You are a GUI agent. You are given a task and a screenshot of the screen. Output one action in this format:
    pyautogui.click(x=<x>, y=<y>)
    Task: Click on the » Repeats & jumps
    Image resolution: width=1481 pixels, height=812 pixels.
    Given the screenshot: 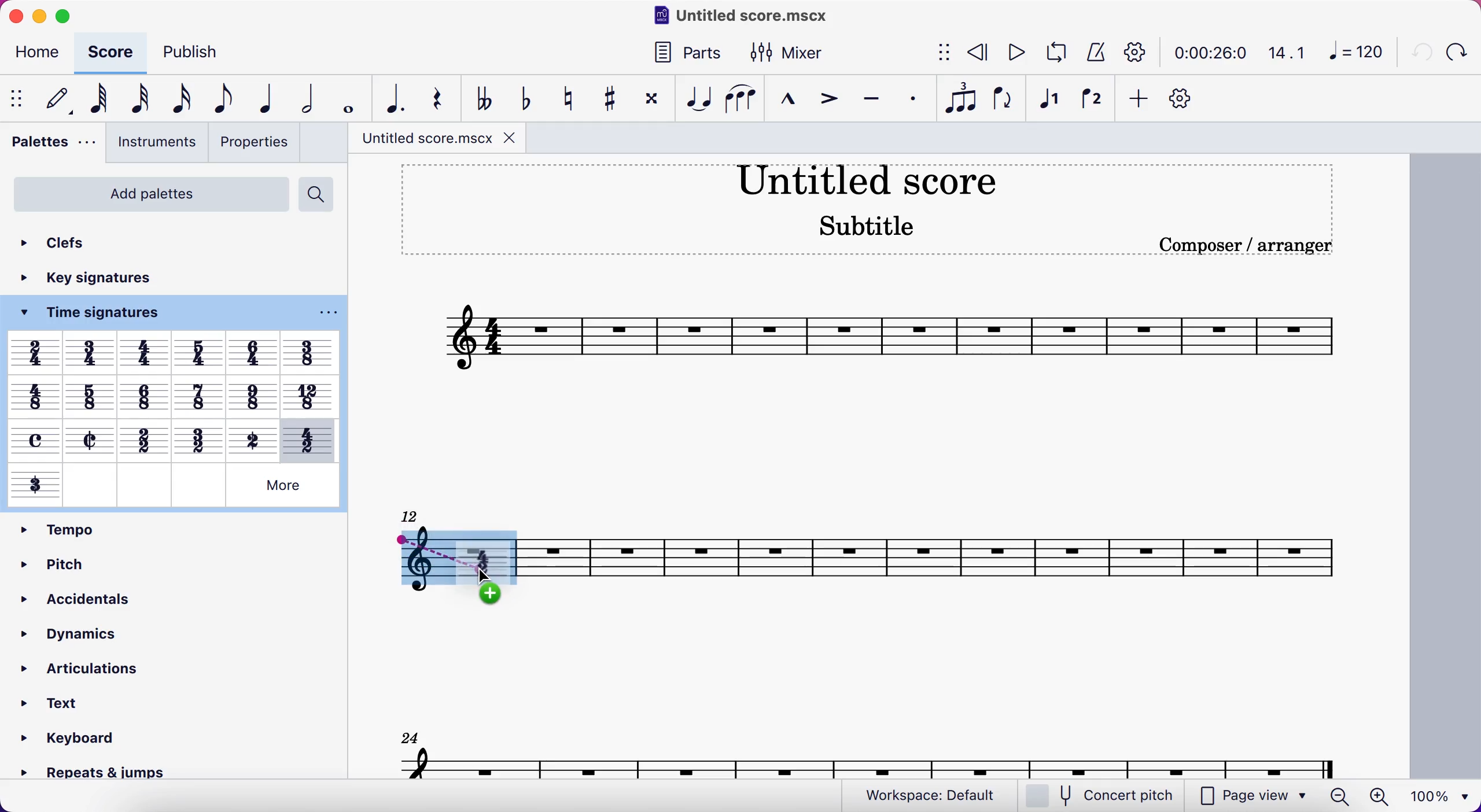 What is the action you would take?
    pyautogui.click(x=83, y=775)
    